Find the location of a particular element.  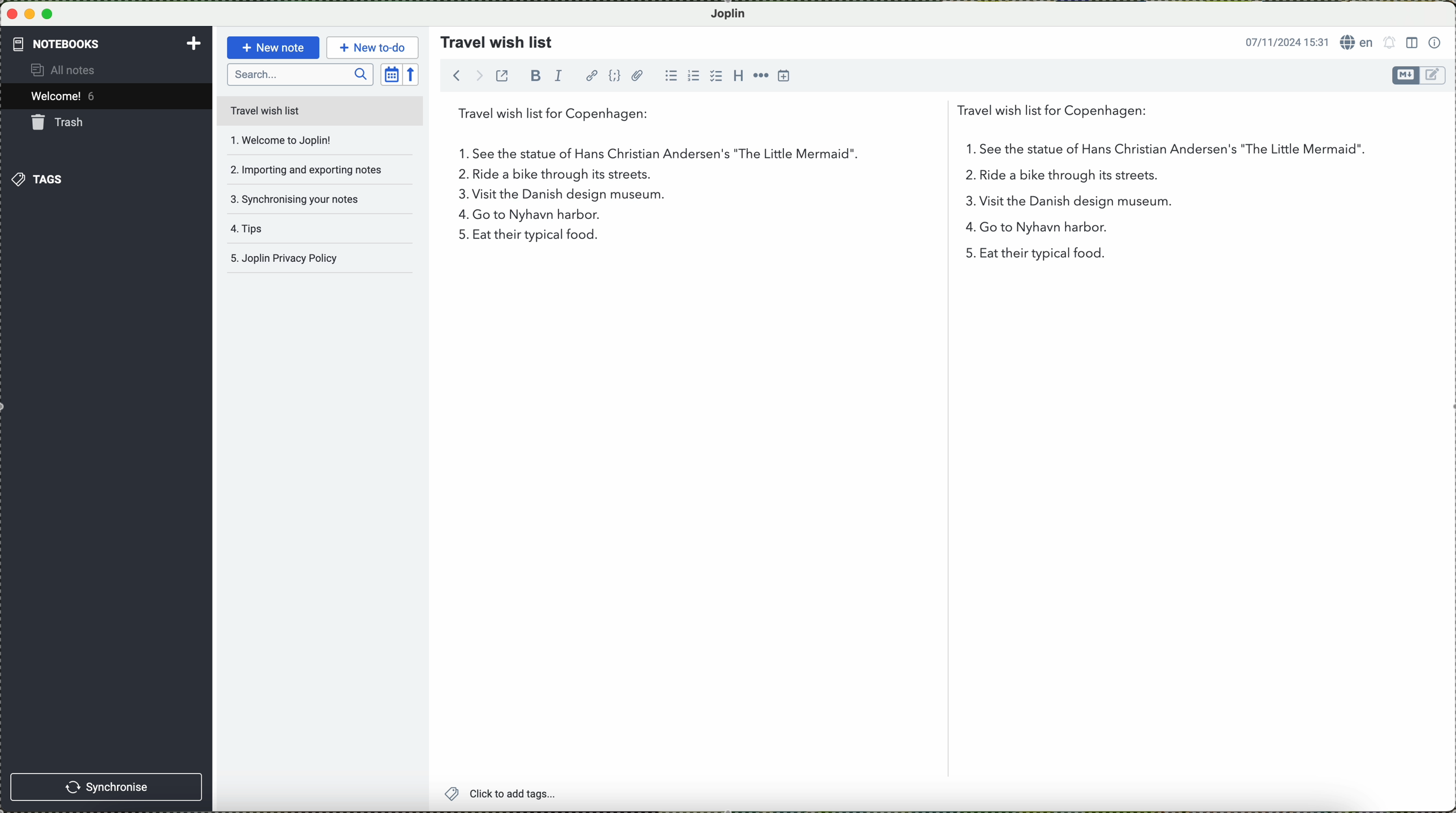

note properties is located at coordinates (1435, 41).